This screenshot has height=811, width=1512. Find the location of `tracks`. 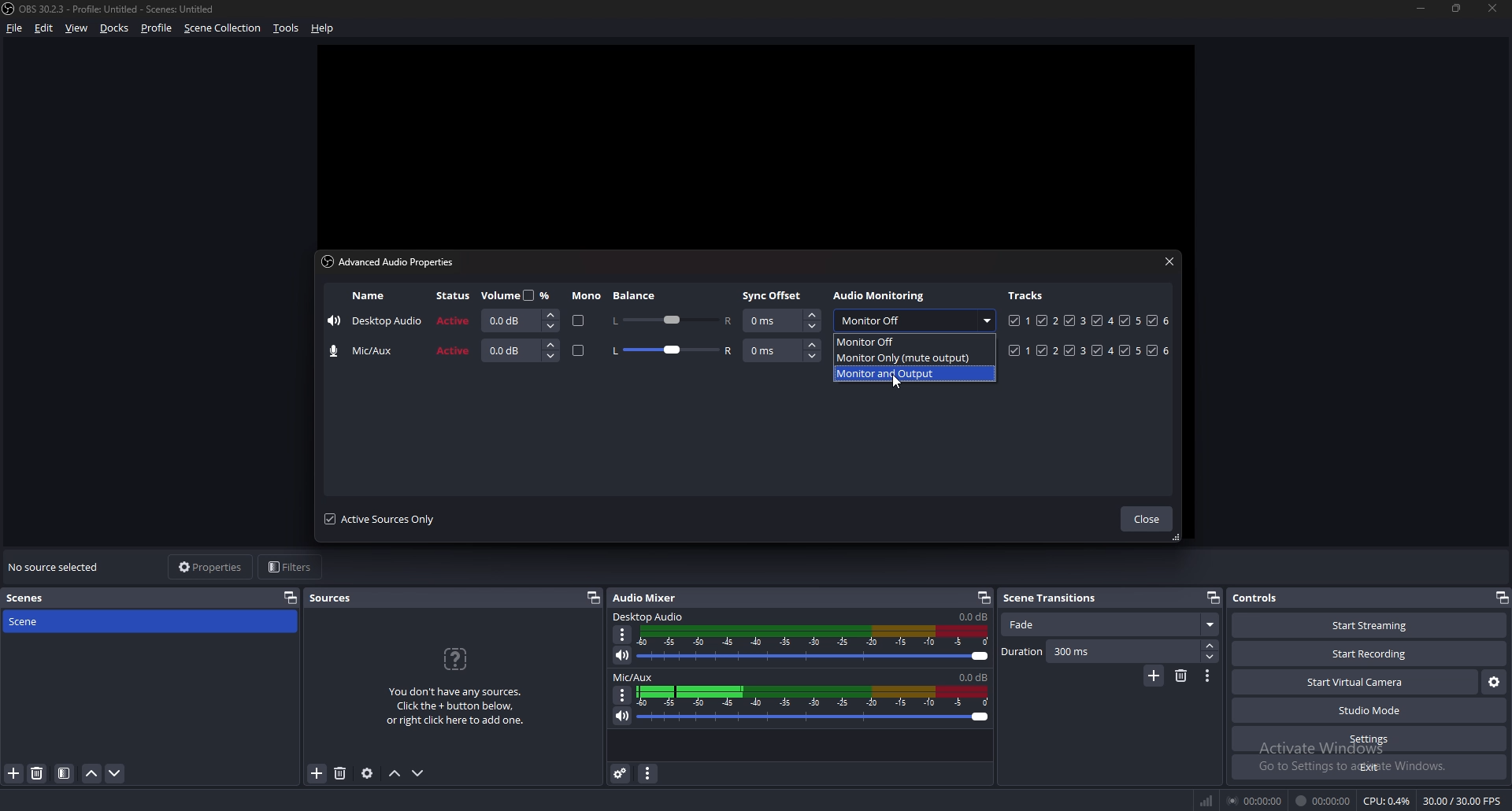

tracks is located at coordinates (1028, 294).